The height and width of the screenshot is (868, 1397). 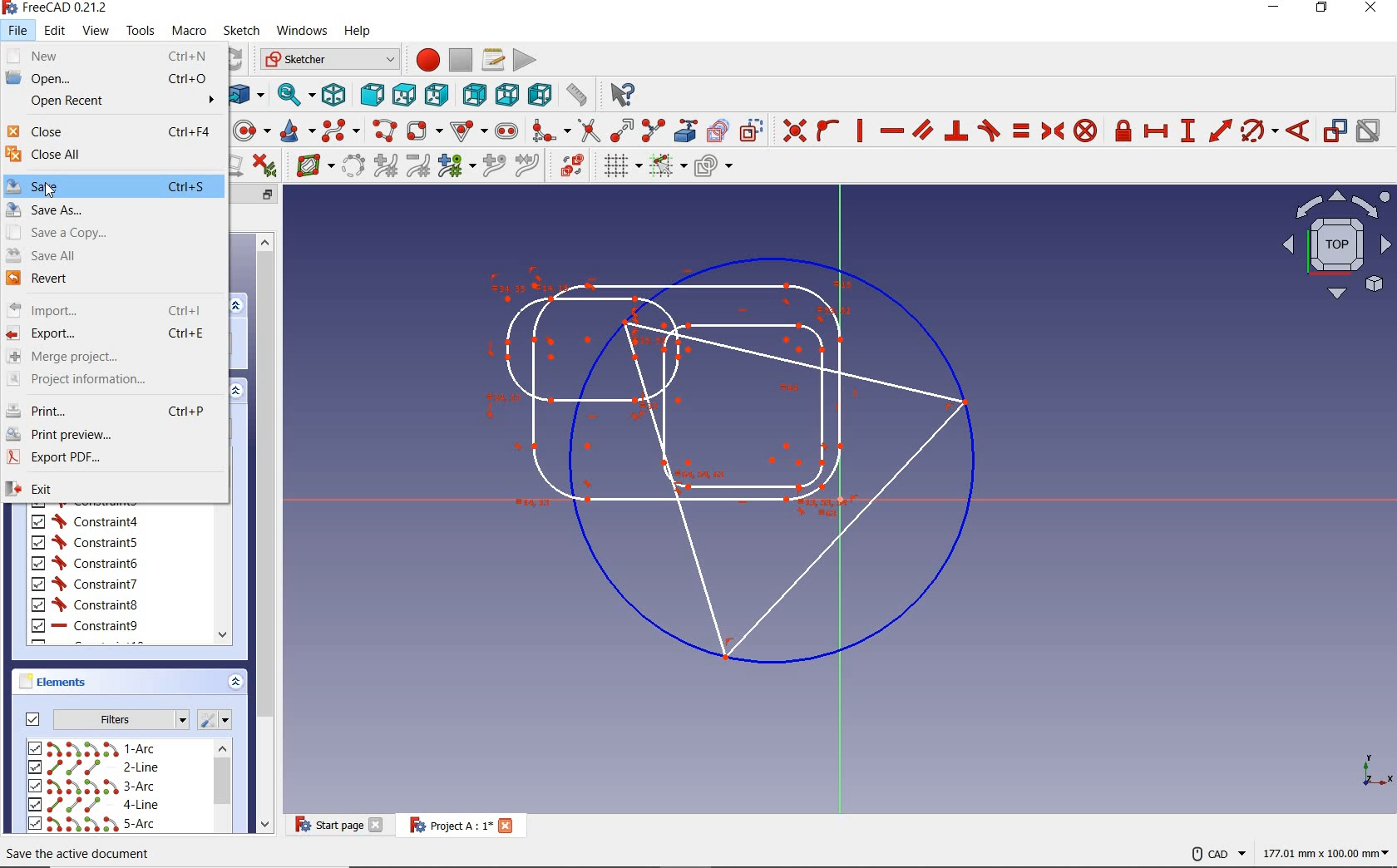 What do you see at coordinates (222, 574) in the screenshot?
I see `scrollbar` at bounding box center [222, 574].